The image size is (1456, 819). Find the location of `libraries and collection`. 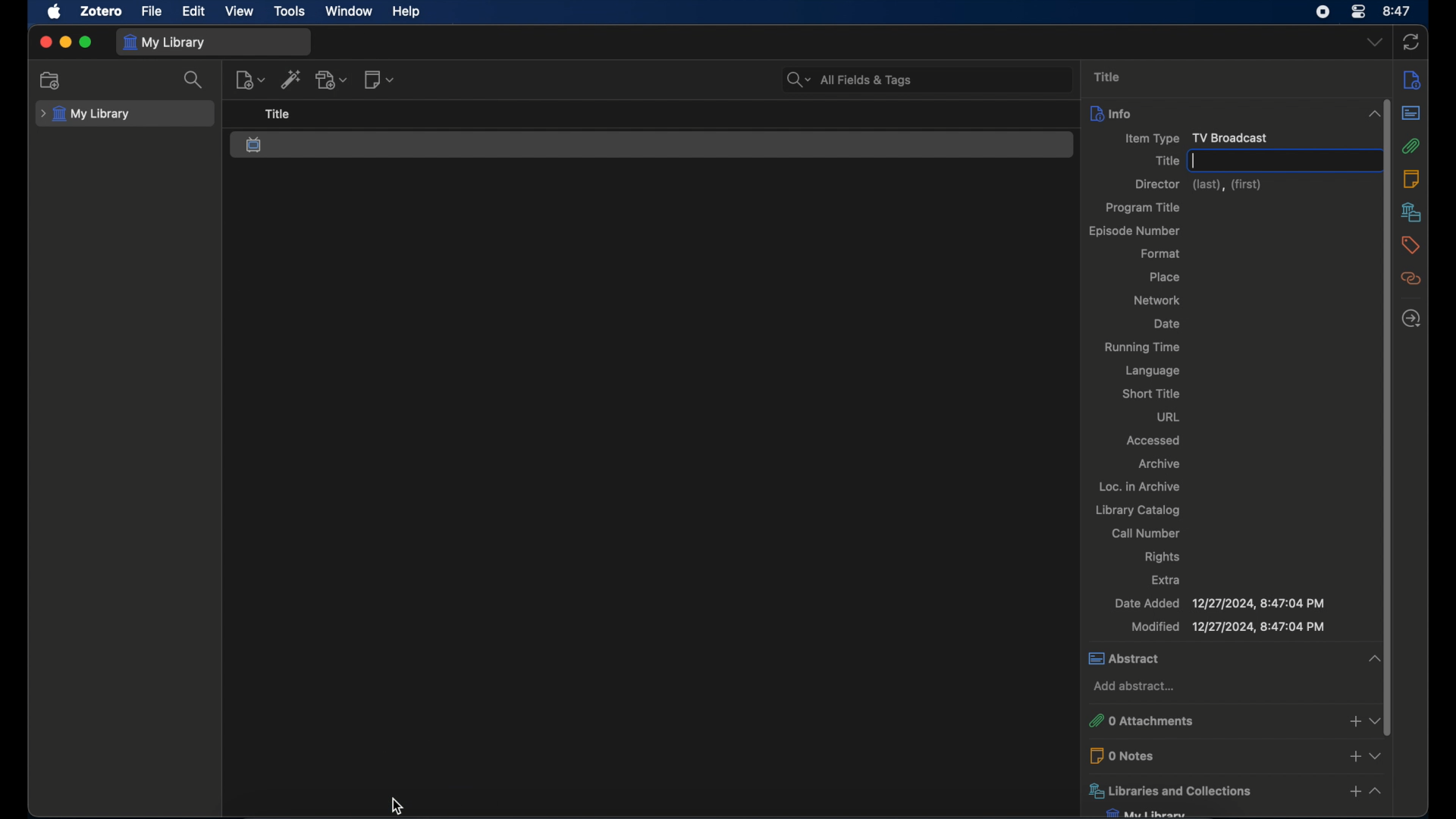

libraries and collection is located at coordinates (1209, 792).